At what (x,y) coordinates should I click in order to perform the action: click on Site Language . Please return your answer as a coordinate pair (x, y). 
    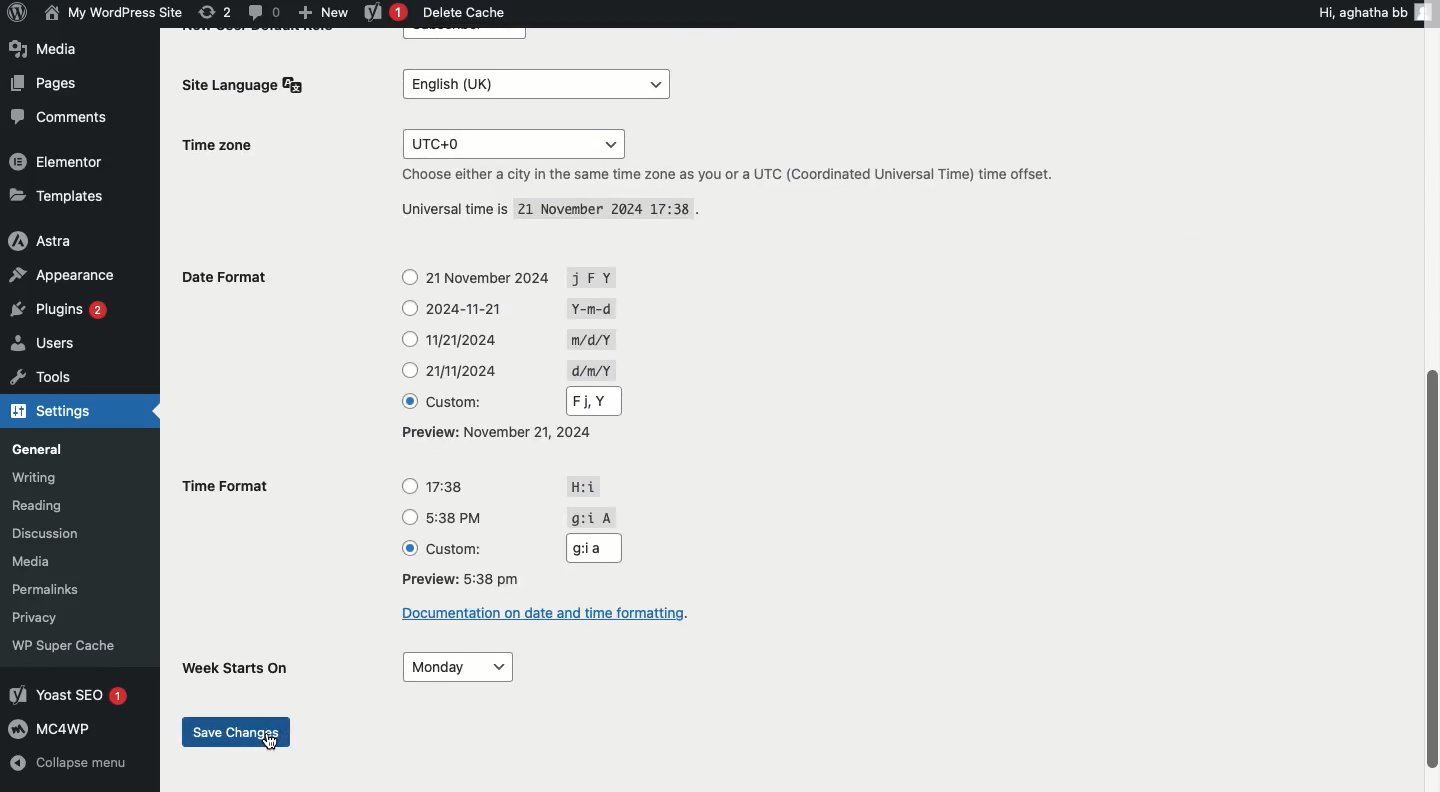
    Looking at the image, I should click on (248, 85).